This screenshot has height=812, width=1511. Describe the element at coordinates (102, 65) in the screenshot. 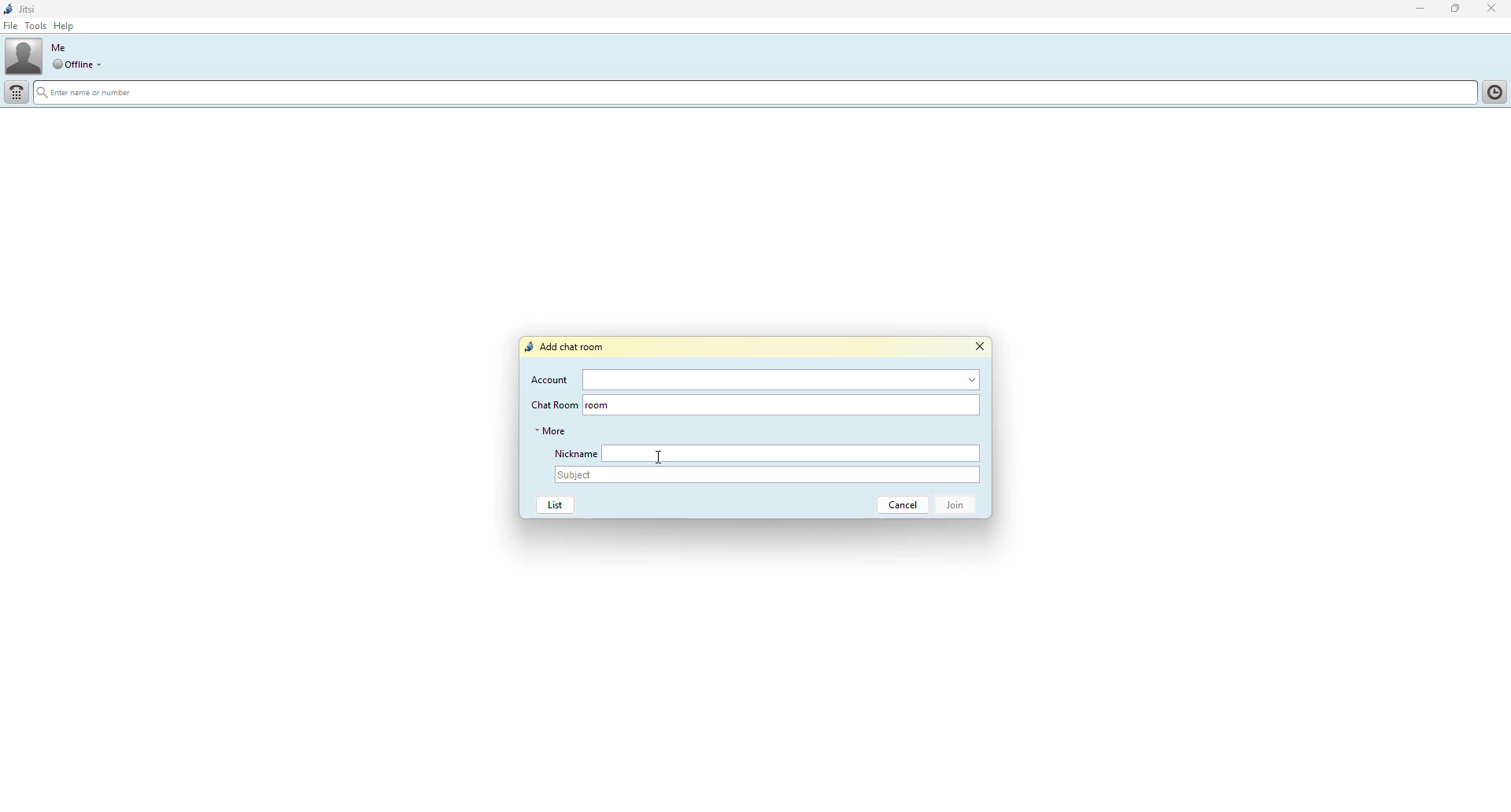

I see `drop down` at that location.